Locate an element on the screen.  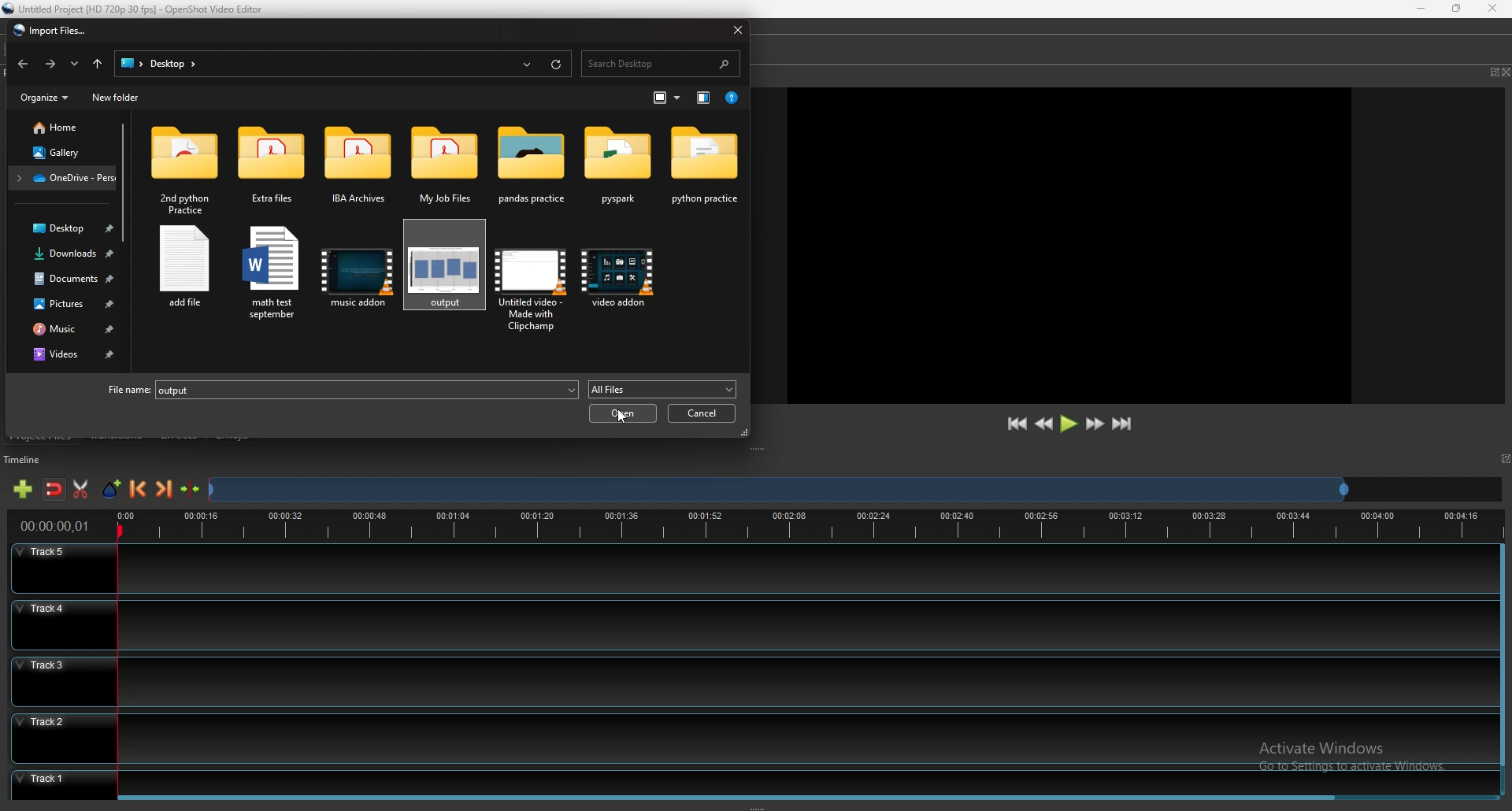
folder is located at coordinates (444, 165).